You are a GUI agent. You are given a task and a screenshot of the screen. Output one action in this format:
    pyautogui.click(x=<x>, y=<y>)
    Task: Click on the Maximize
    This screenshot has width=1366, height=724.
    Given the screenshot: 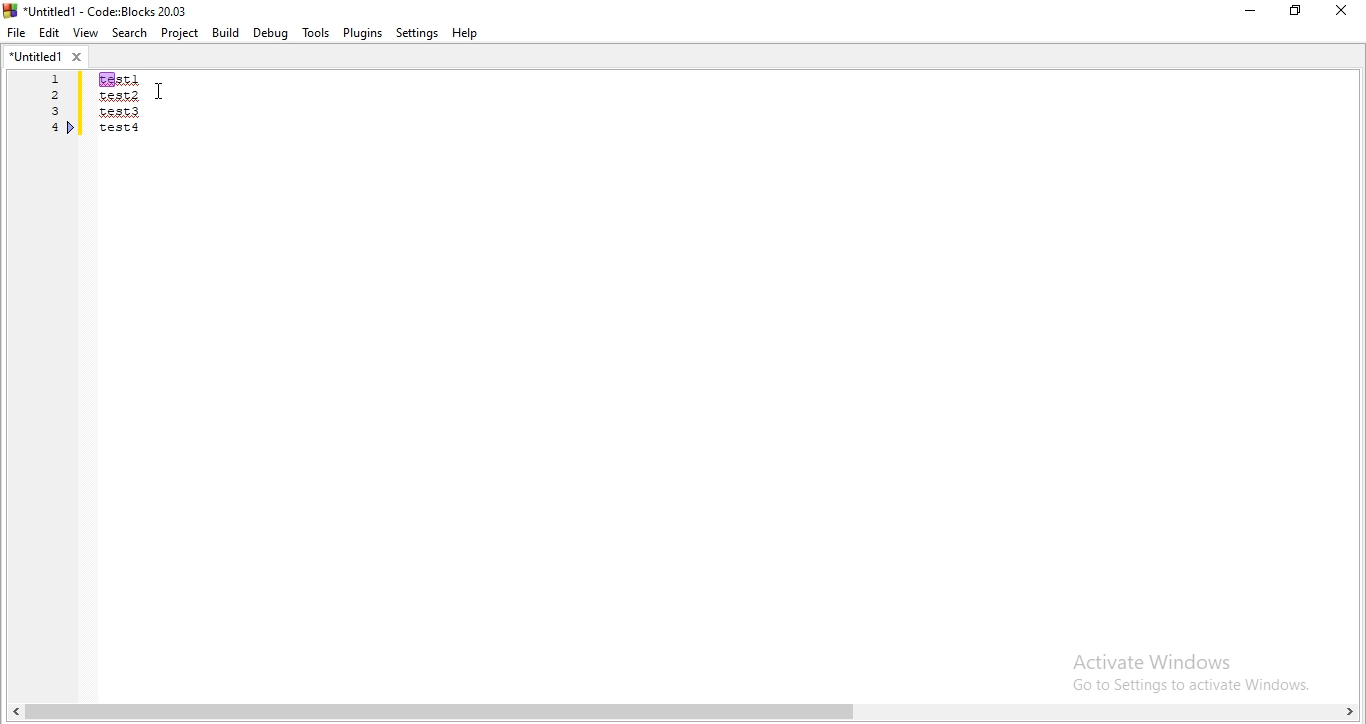 What is the action you would take?
    pyautogui.click(x=1299, y=13)
    